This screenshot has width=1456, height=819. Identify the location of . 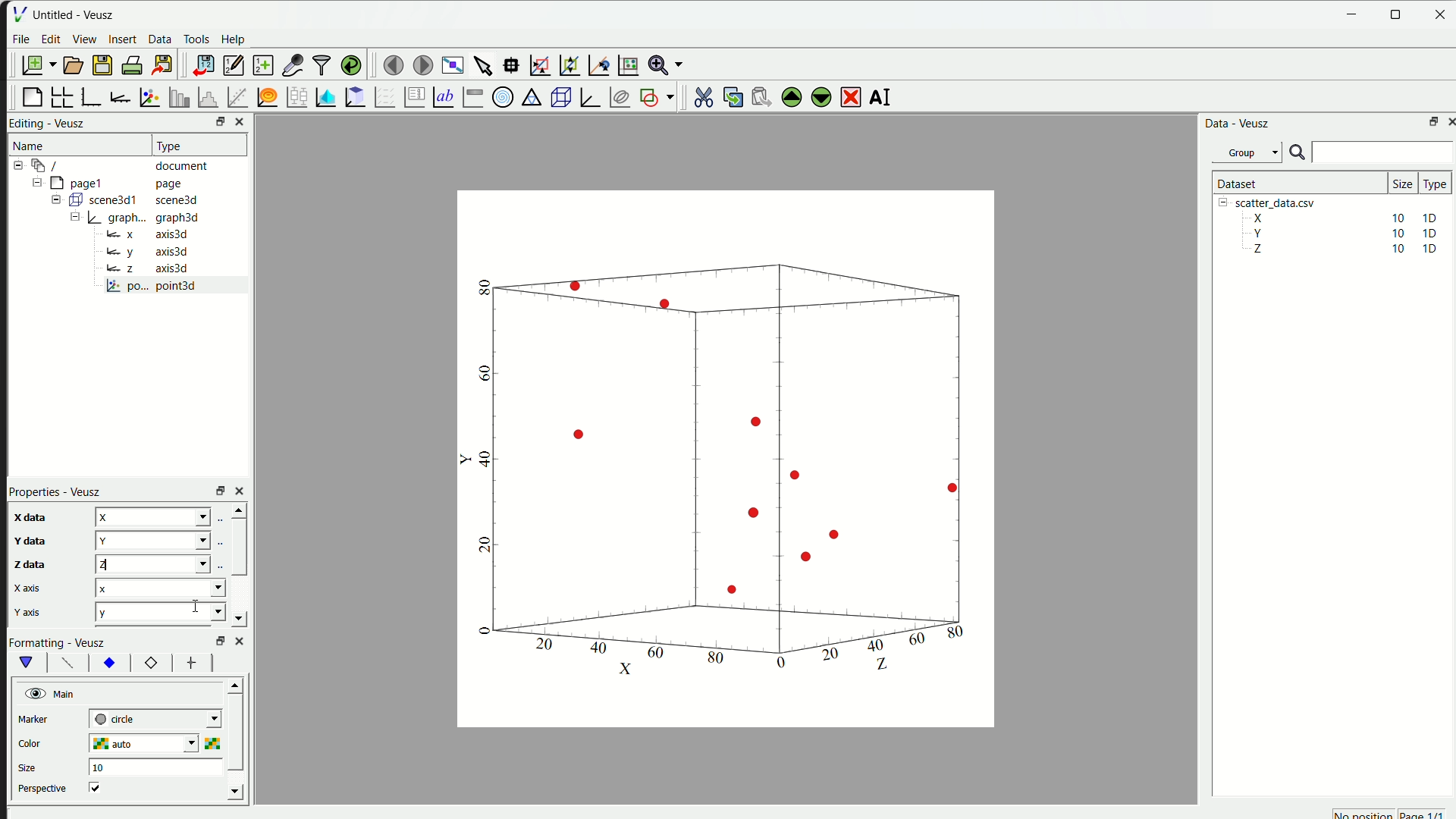
(218, 639).